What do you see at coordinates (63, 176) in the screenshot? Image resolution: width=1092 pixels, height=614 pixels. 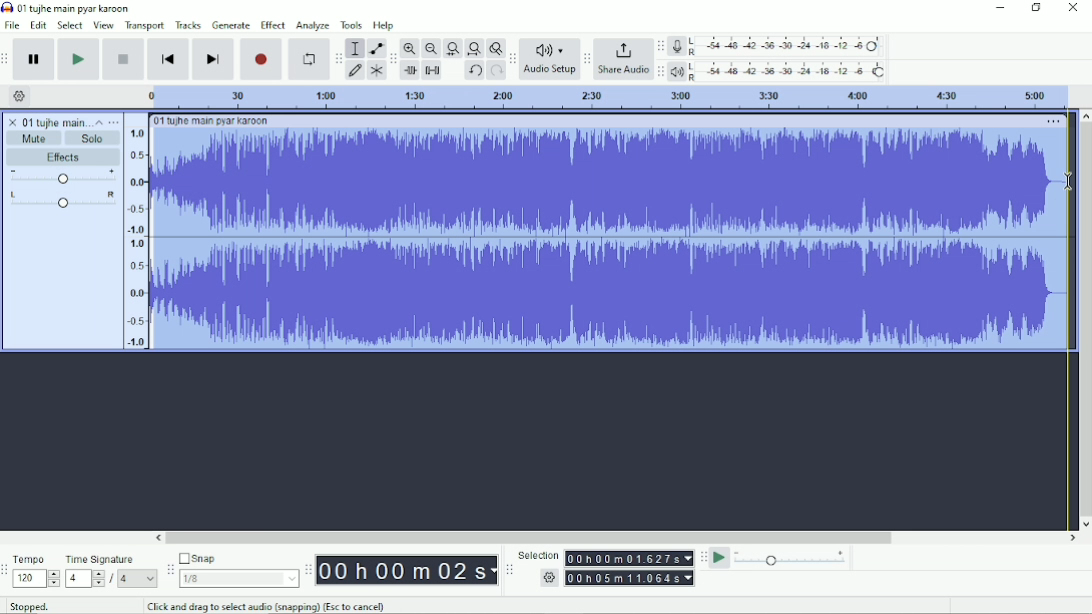 I see `Volume` at bounding box center [63, 176].